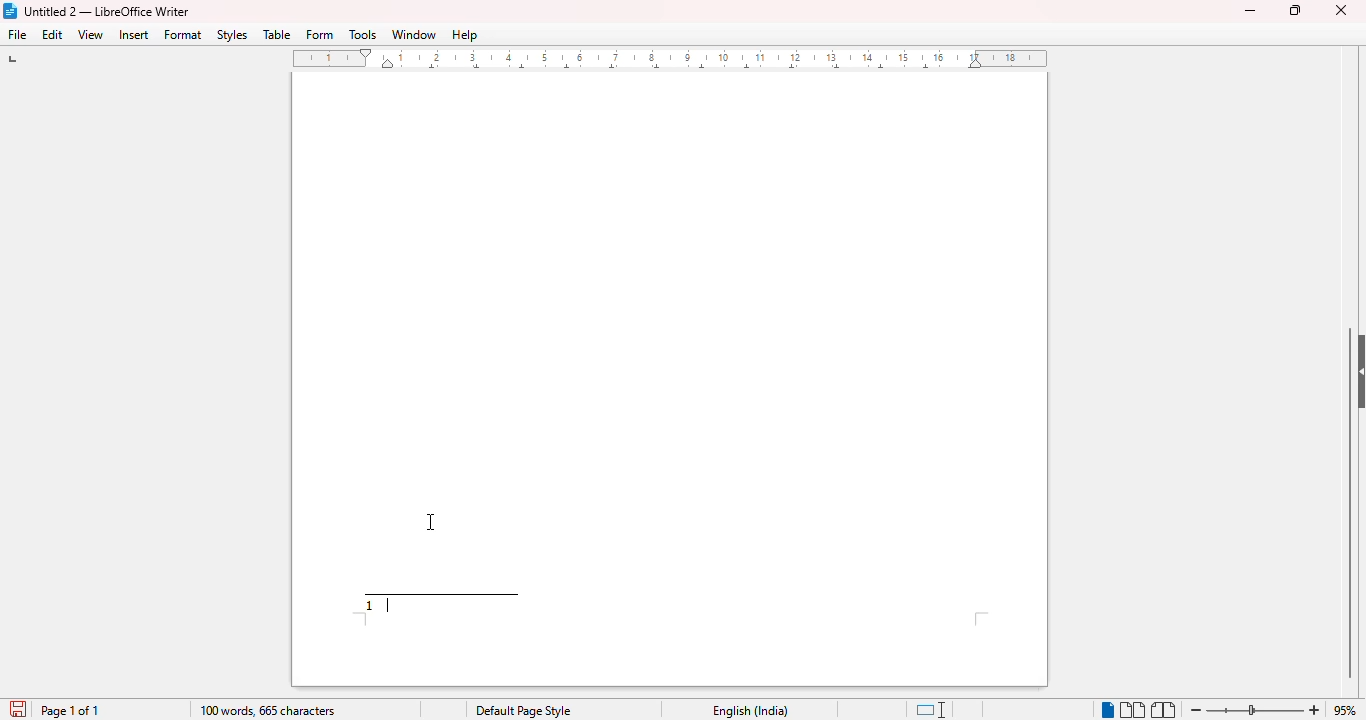 This screenshot has width=1366, height=720. I want to click on show, so click(1357, 371).